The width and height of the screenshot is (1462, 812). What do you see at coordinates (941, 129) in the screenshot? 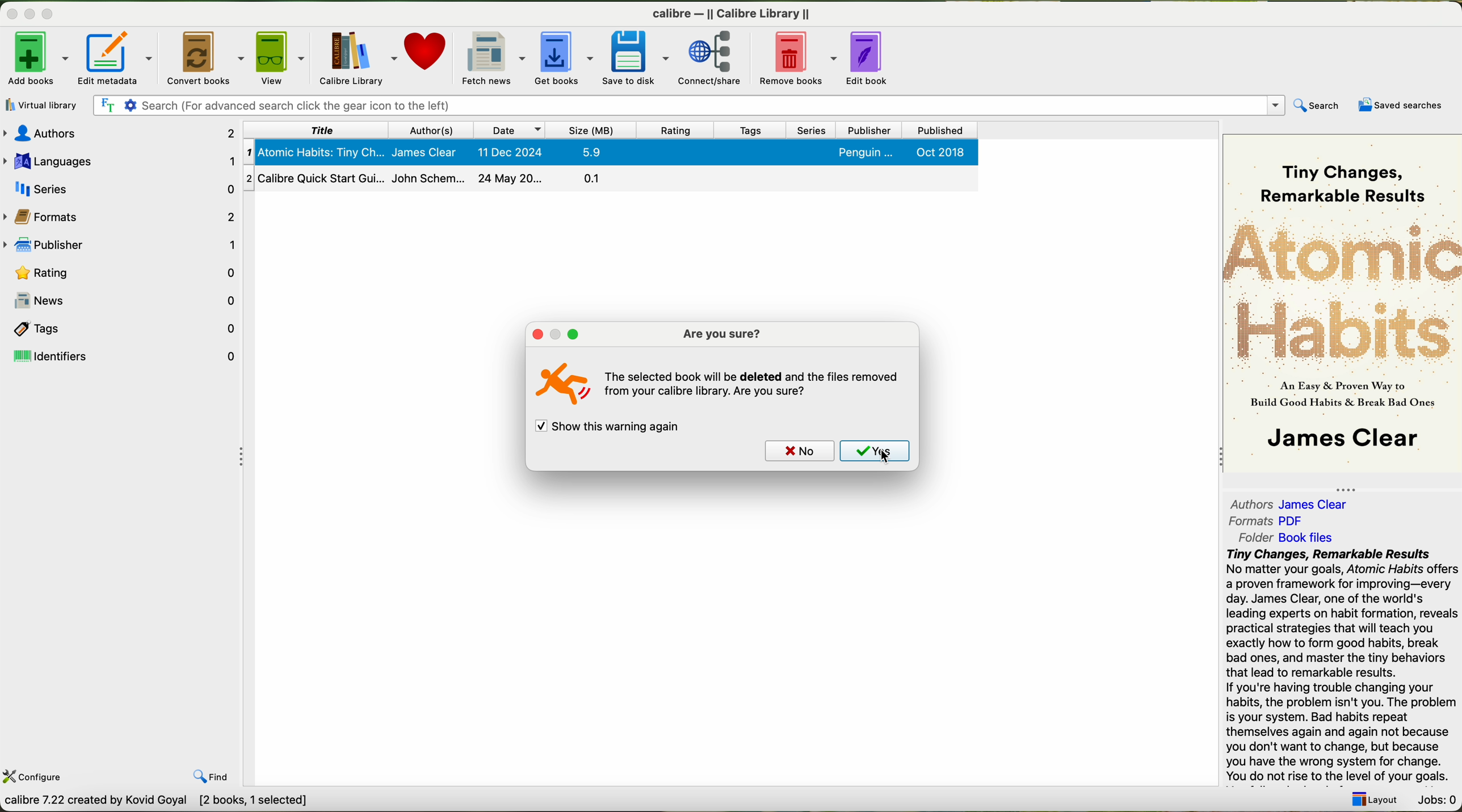
I see `published` at bounding box center [941, 129].